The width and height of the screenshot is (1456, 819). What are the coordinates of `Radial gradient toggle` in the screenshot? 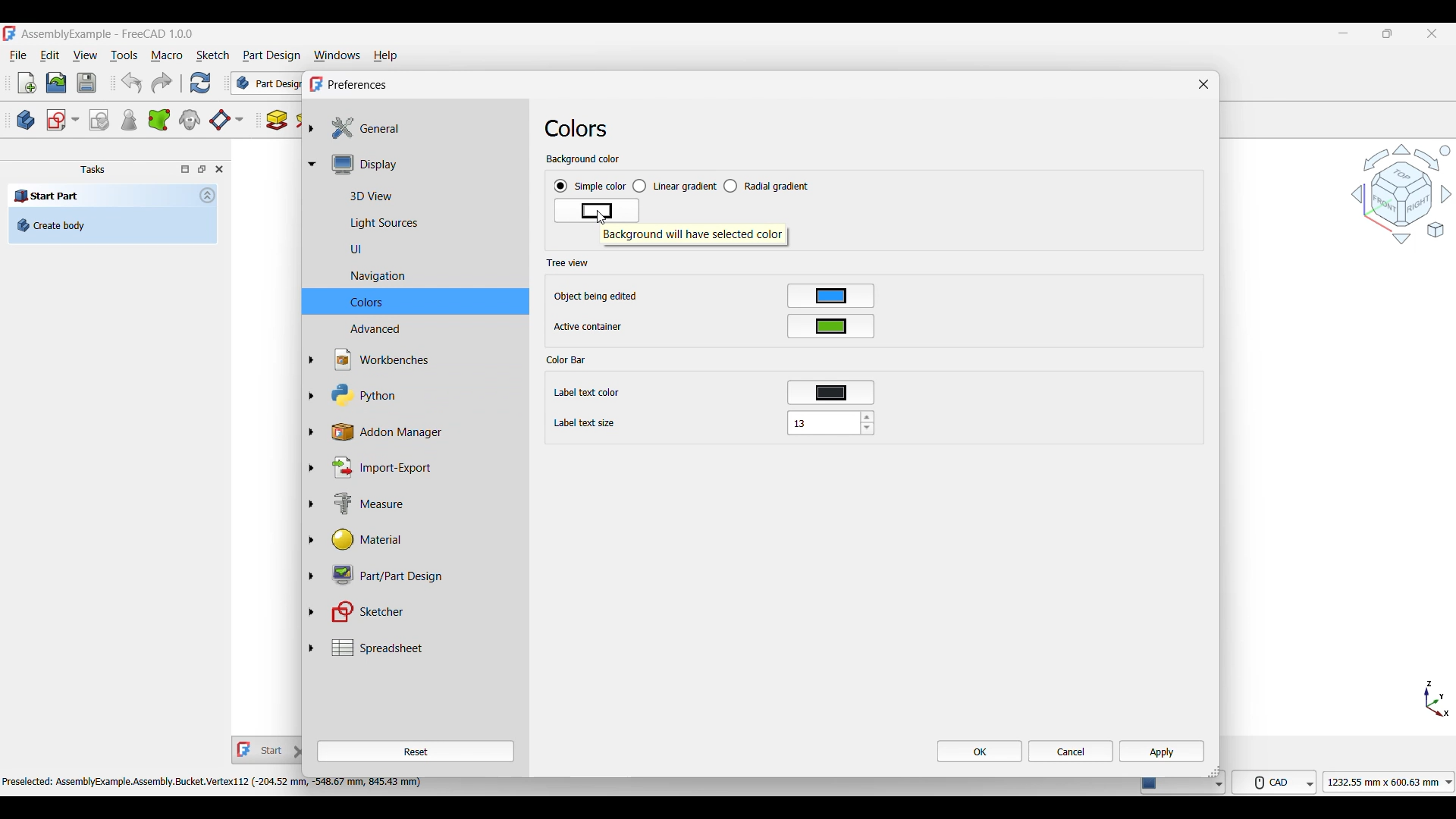 It's located at (767, 186).